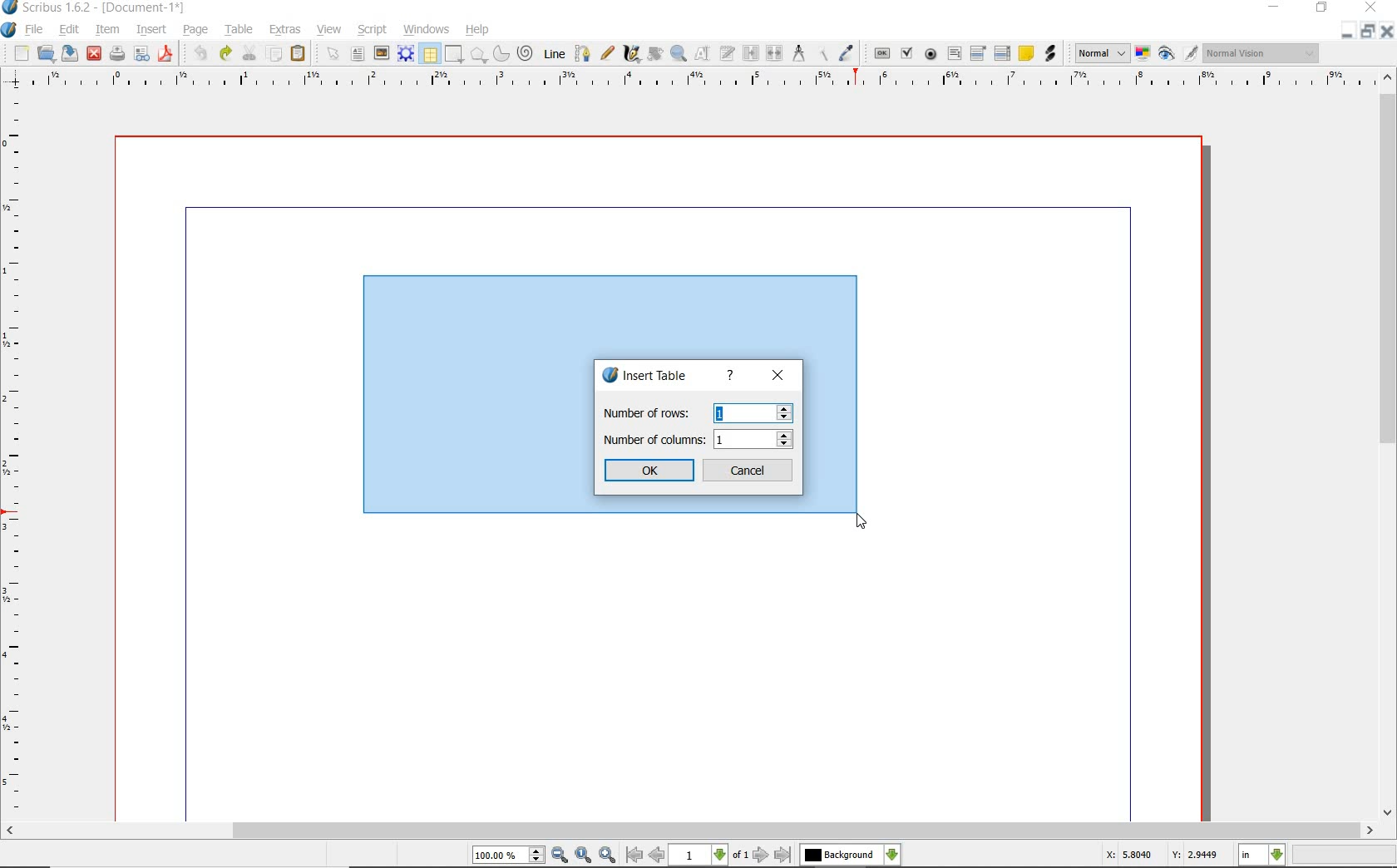 The width and height of the screenshot is (1397, 868). What do you see at coordinates (699, 438) in the screenshot?
I see `number of columns` at bounding box center [699, 438].